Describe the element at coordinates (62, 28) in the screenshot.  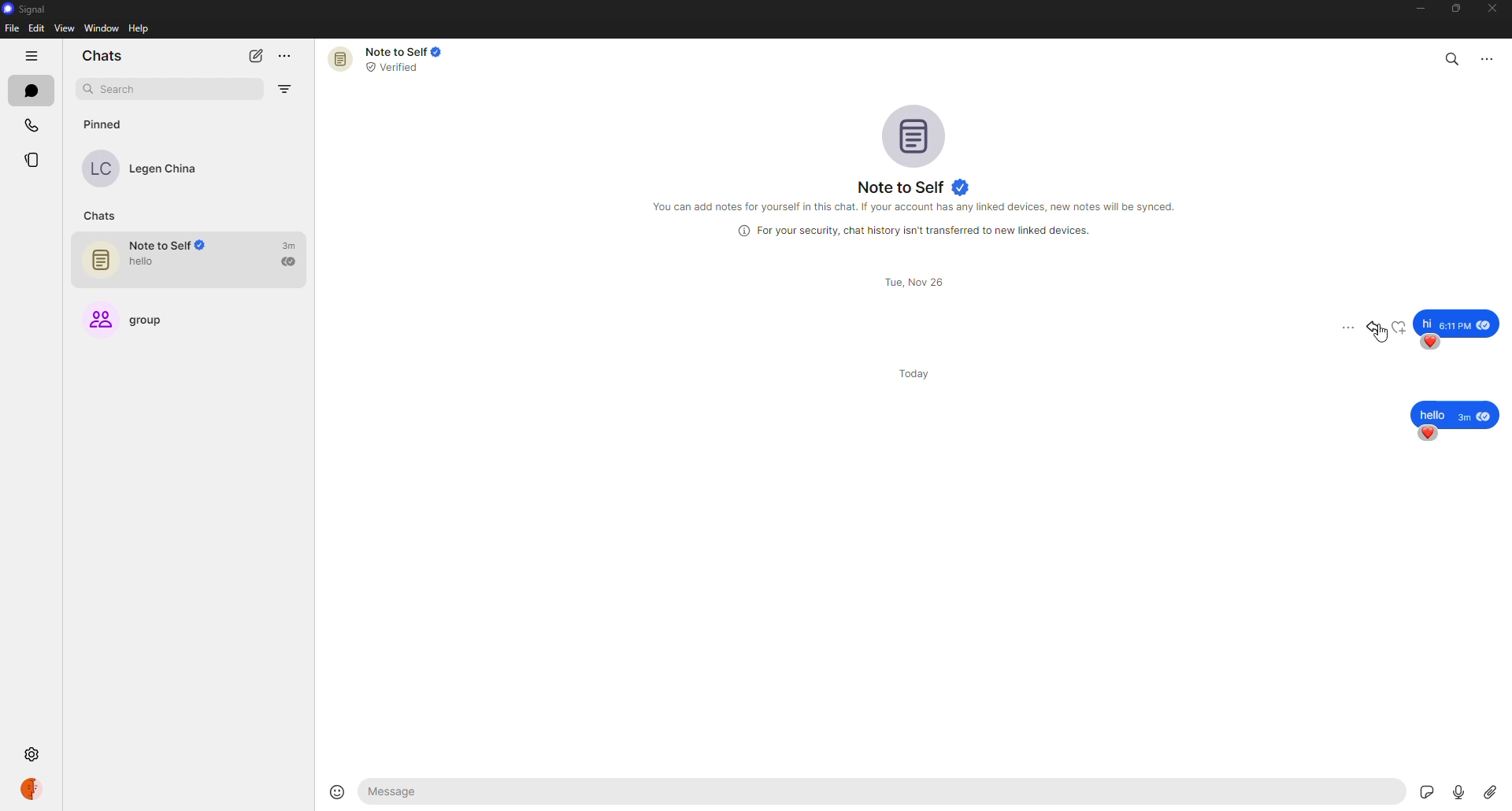
I see `view` at that location.